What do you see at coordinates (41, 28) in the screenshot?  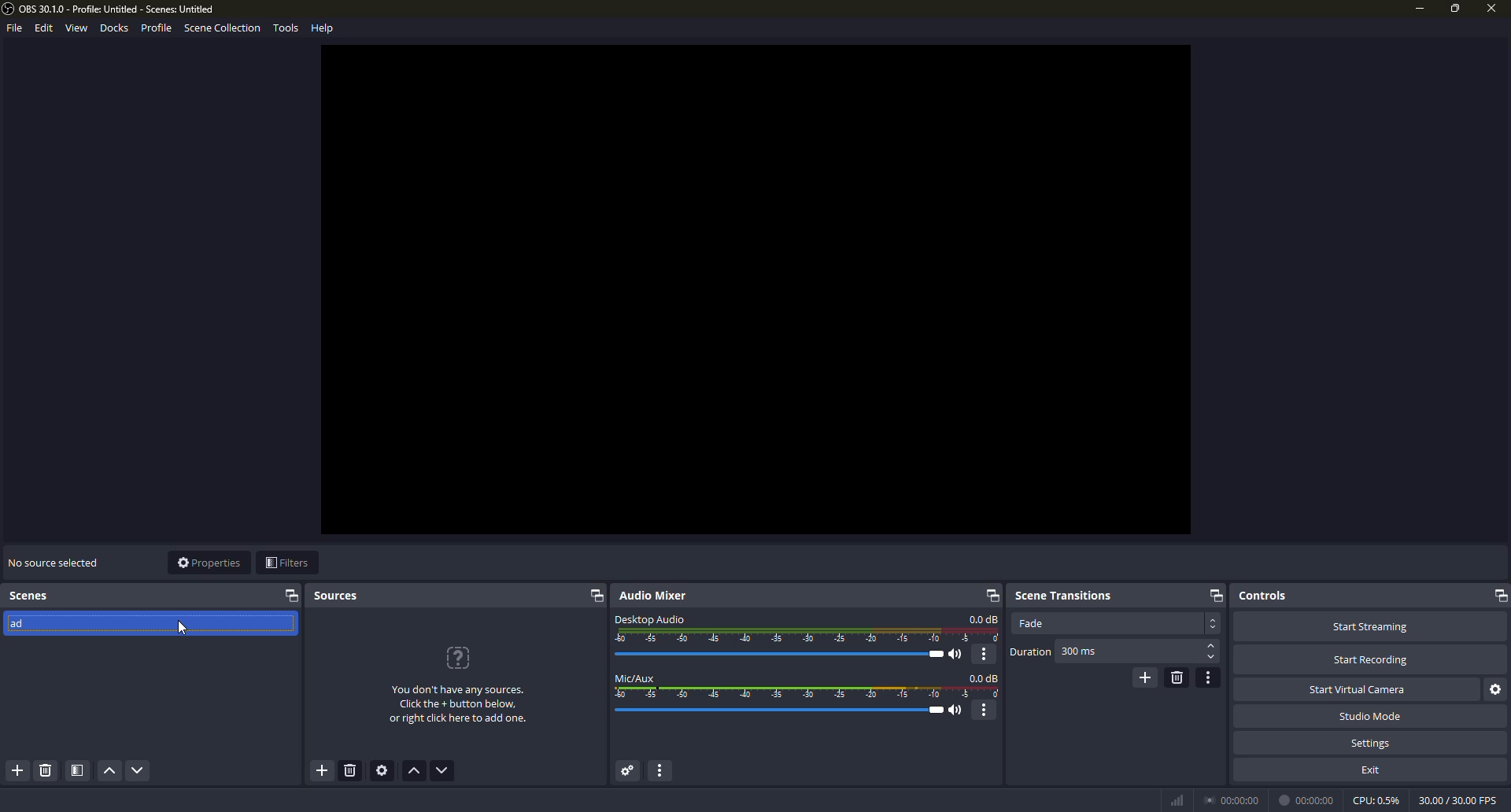 I see `edit` at bounding box center [41, 28].